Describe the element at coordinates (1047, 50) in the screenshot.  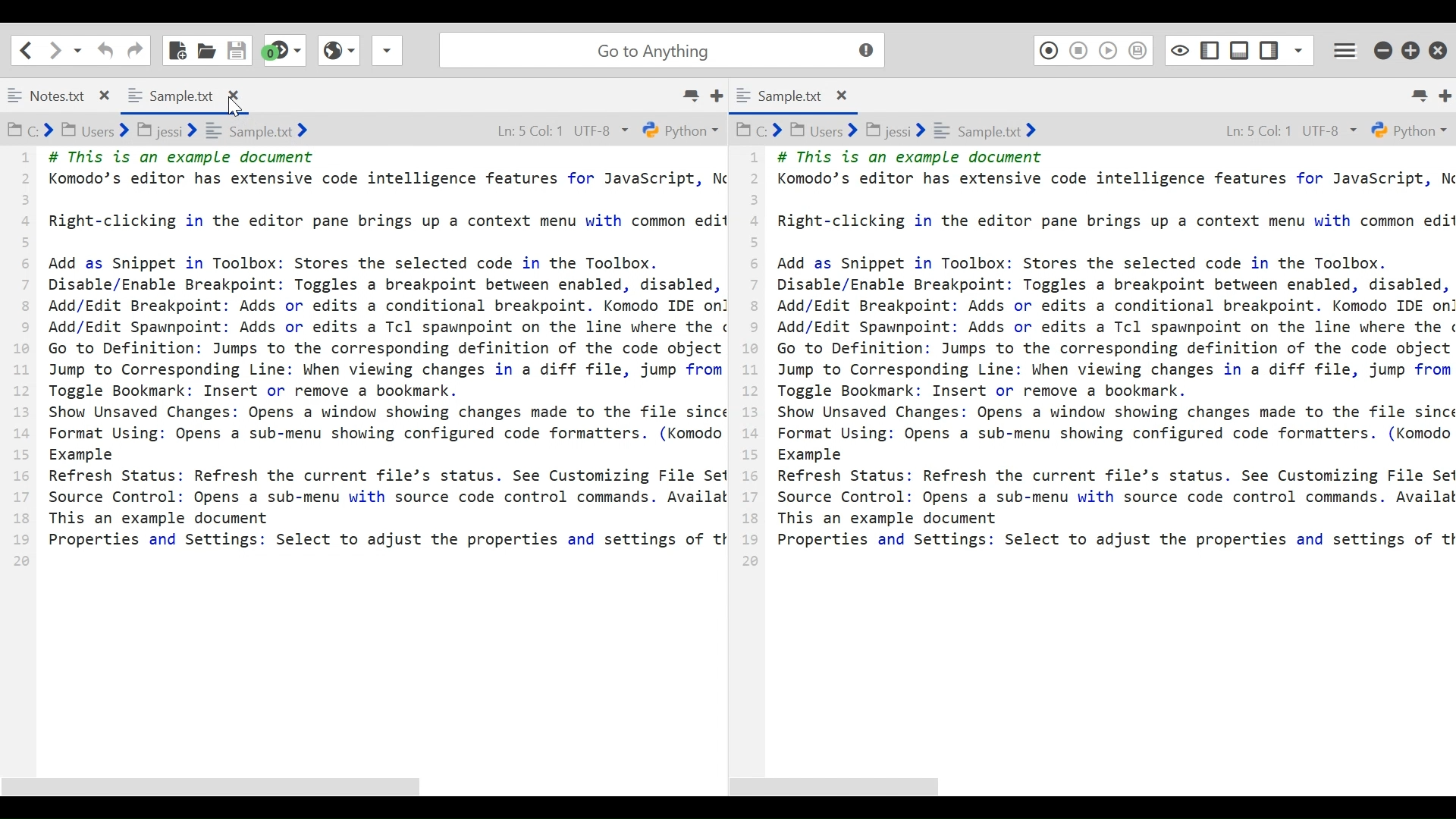
I see `Recording Macro` at that location.